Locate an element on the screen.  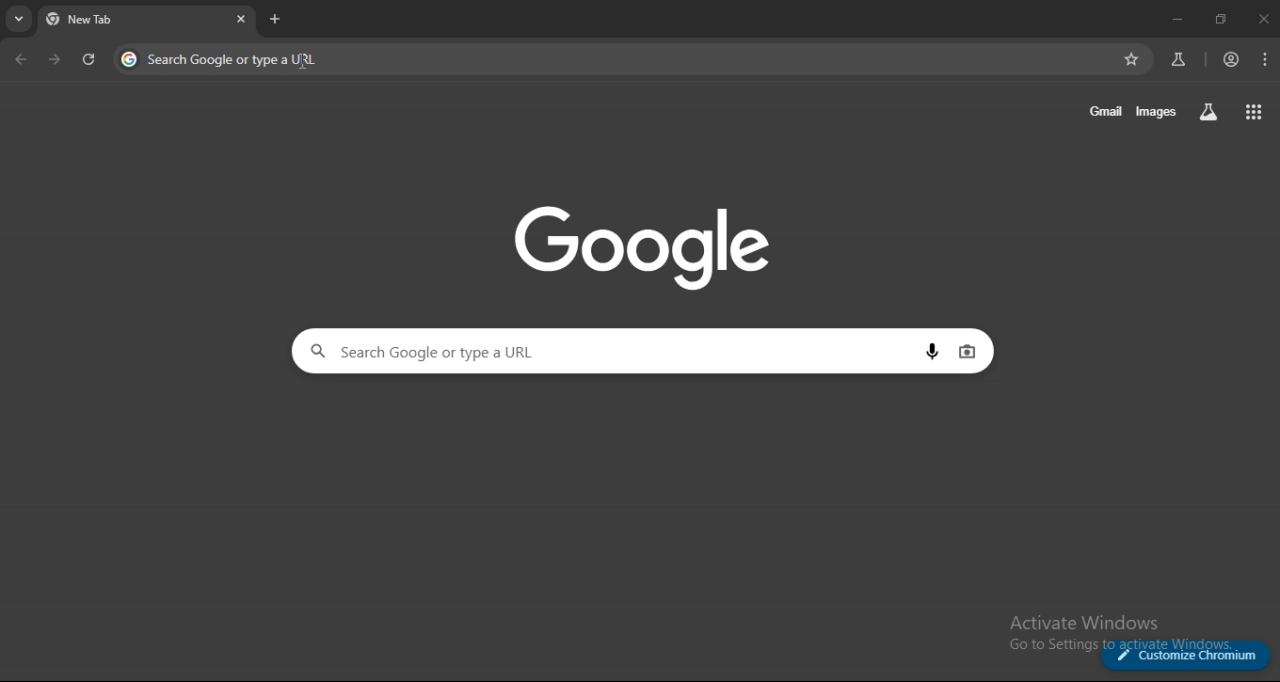
current tab is located at coordinates (113, 19).